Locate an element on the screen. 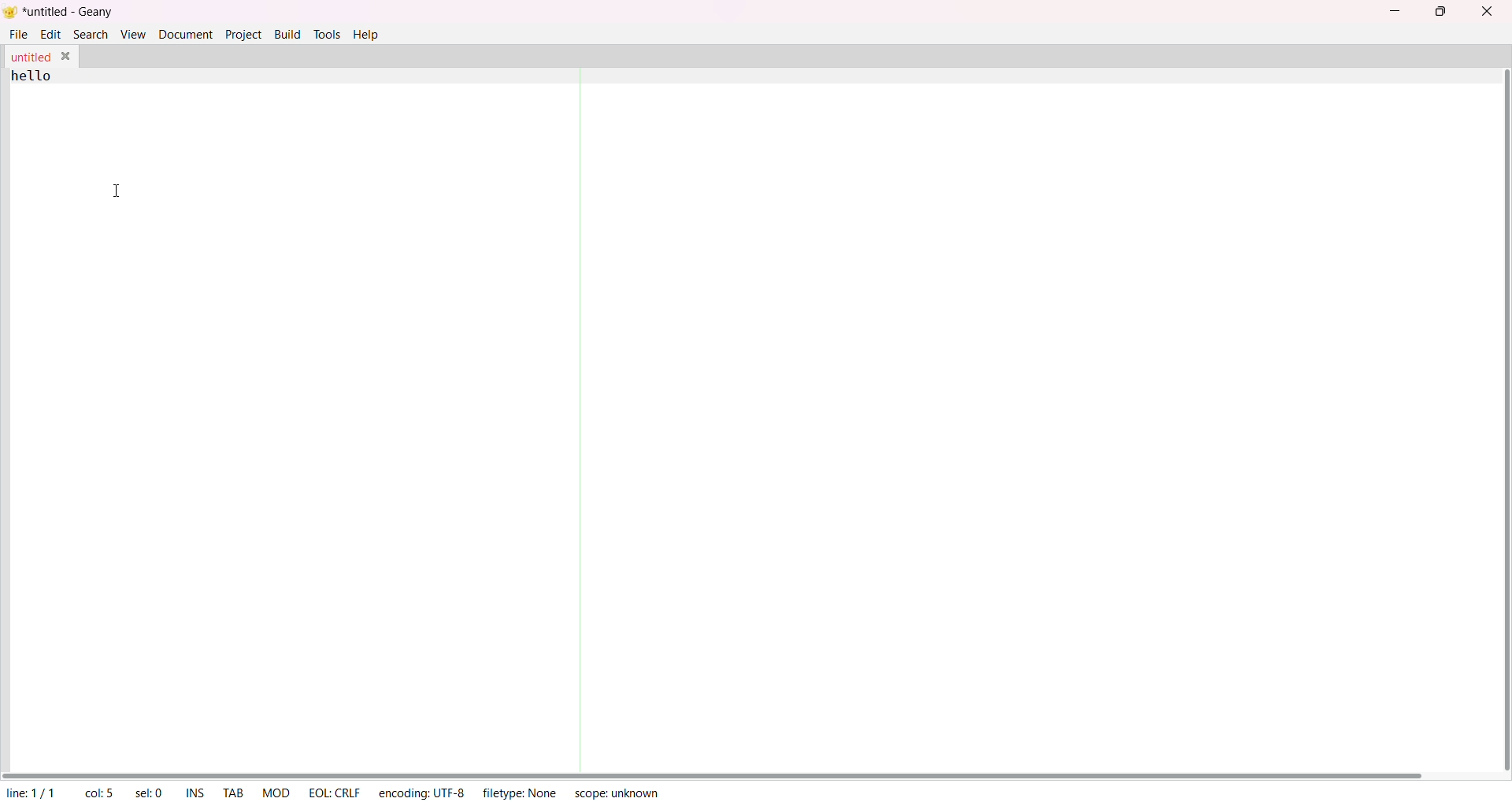  filetype: None is located at coordinates (517, 791).